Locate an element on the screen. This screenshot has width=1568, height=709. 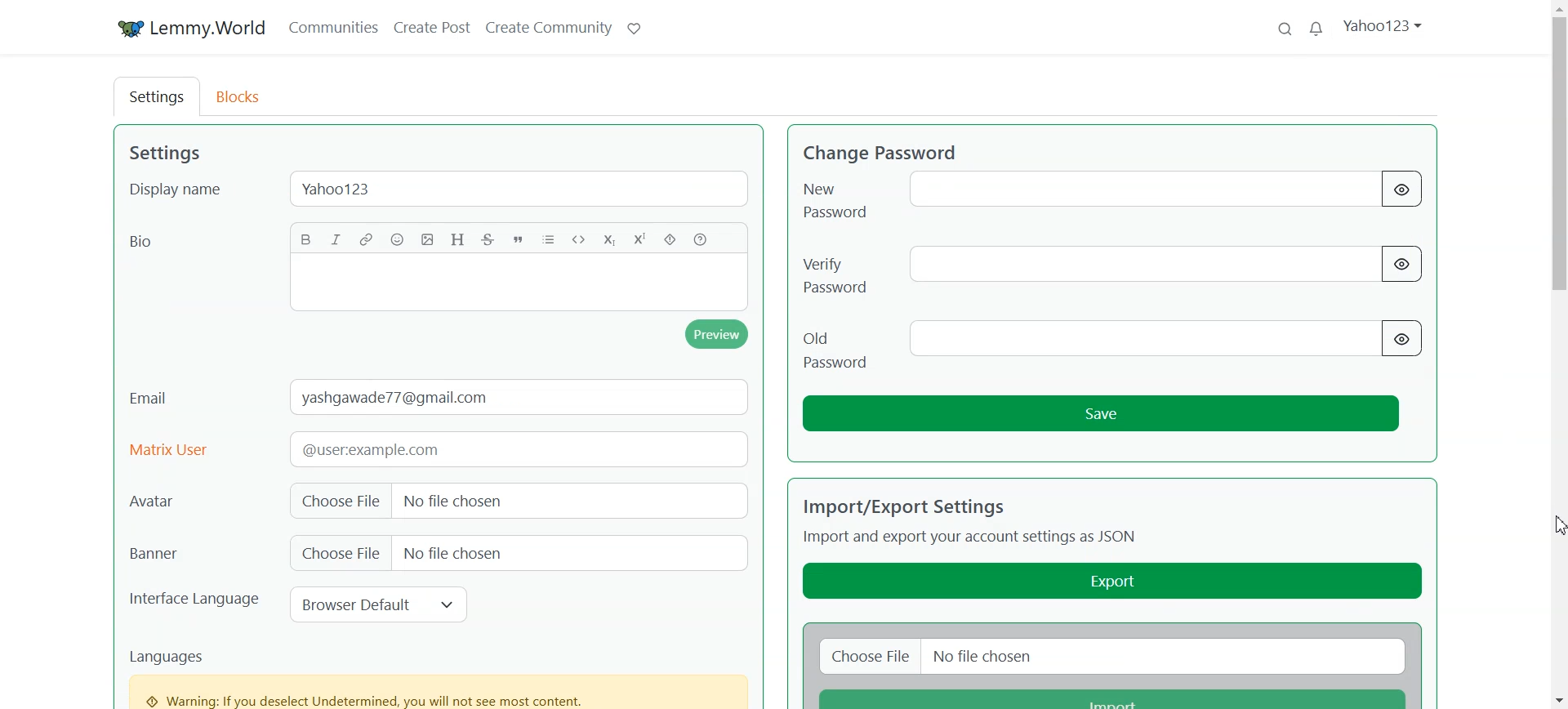
Spoilers is located at coordinates (670, 239).